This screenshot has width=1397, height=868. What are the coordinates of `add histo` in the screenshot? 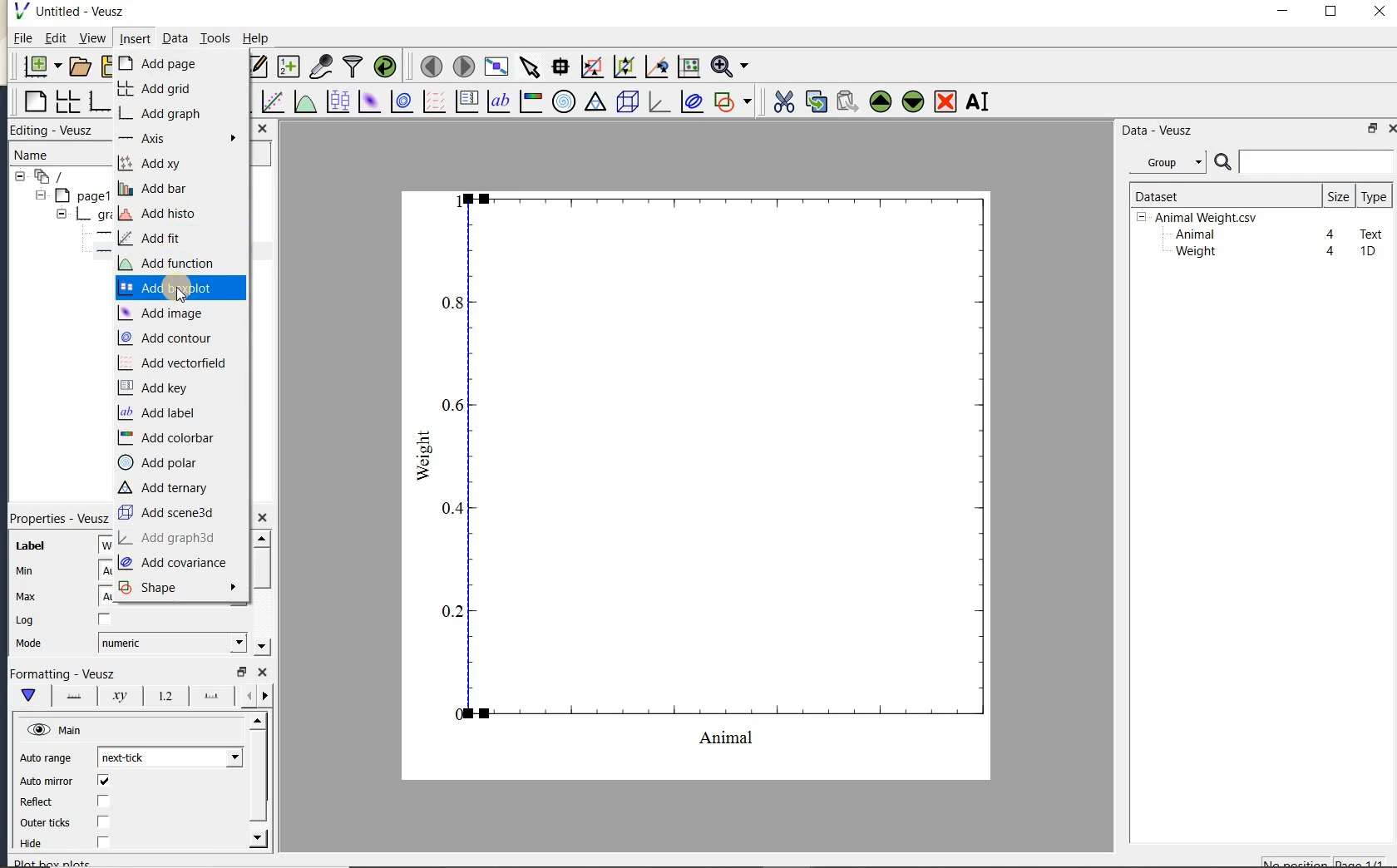 It's located at (162, 214).